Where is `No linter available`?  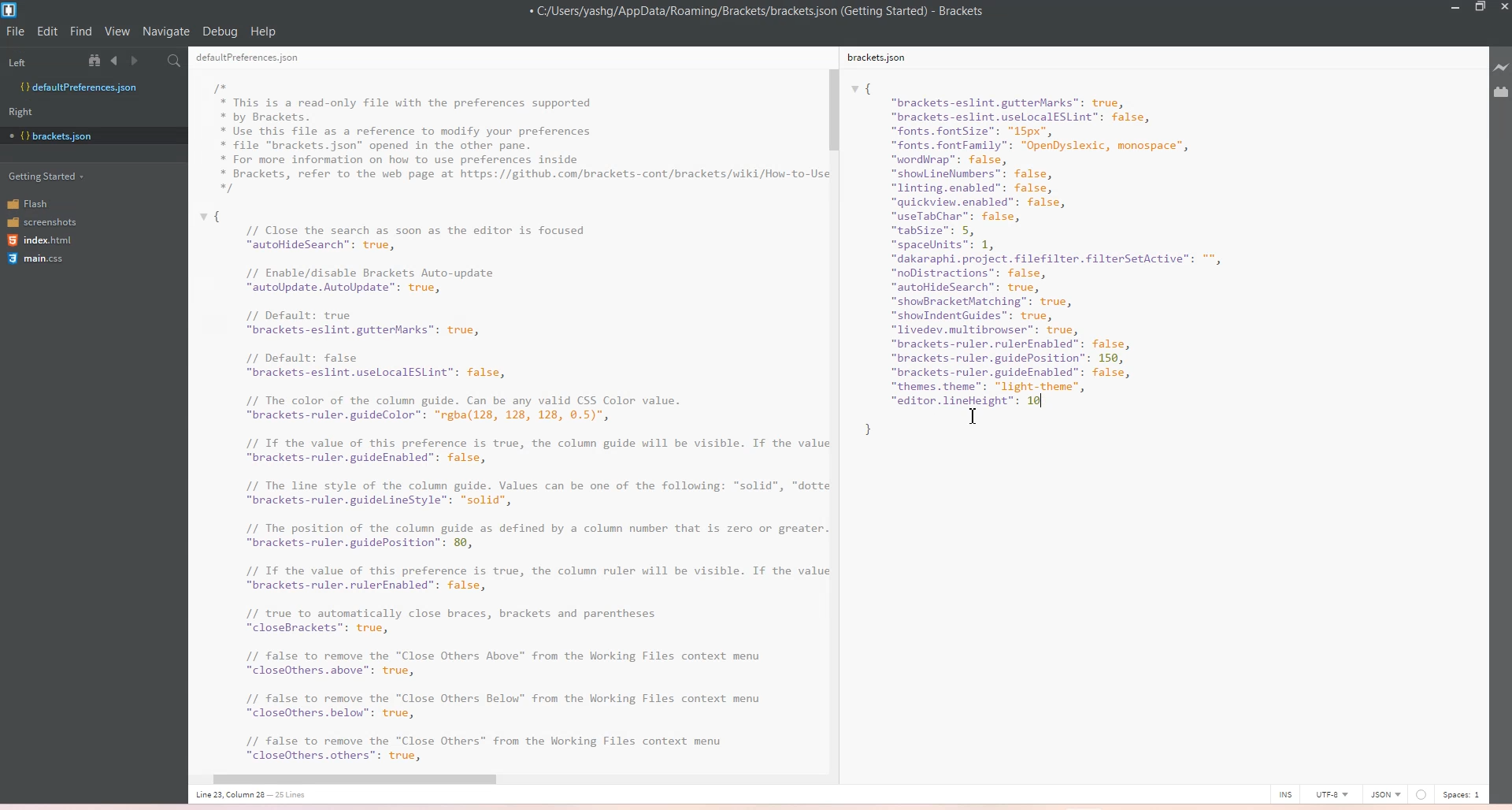 No linter available is located at coordinates (1421, 795).